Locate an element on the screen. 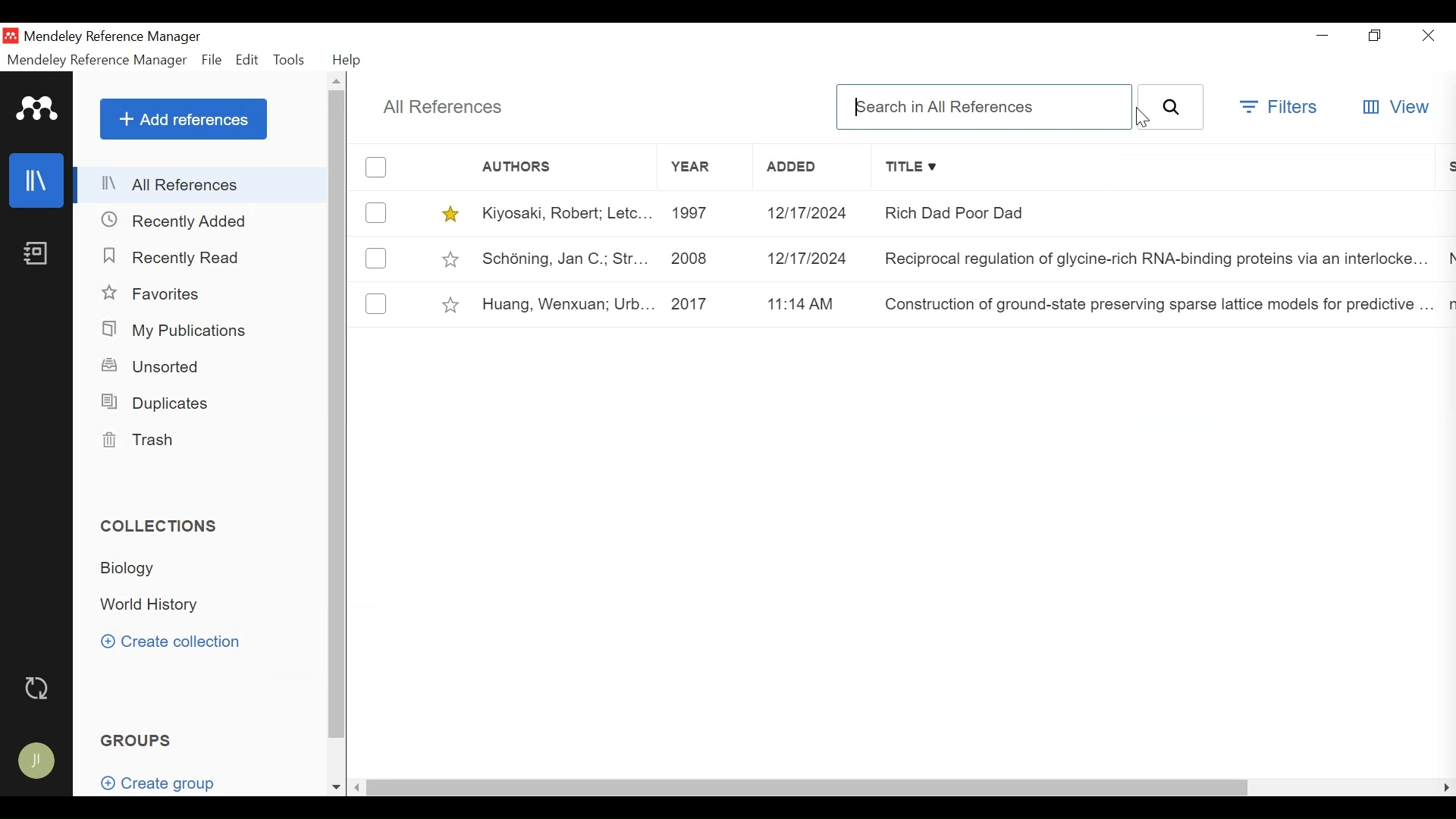 This screenshot has height=819, width=1456. 2017 is located at coordinates (704, 304).